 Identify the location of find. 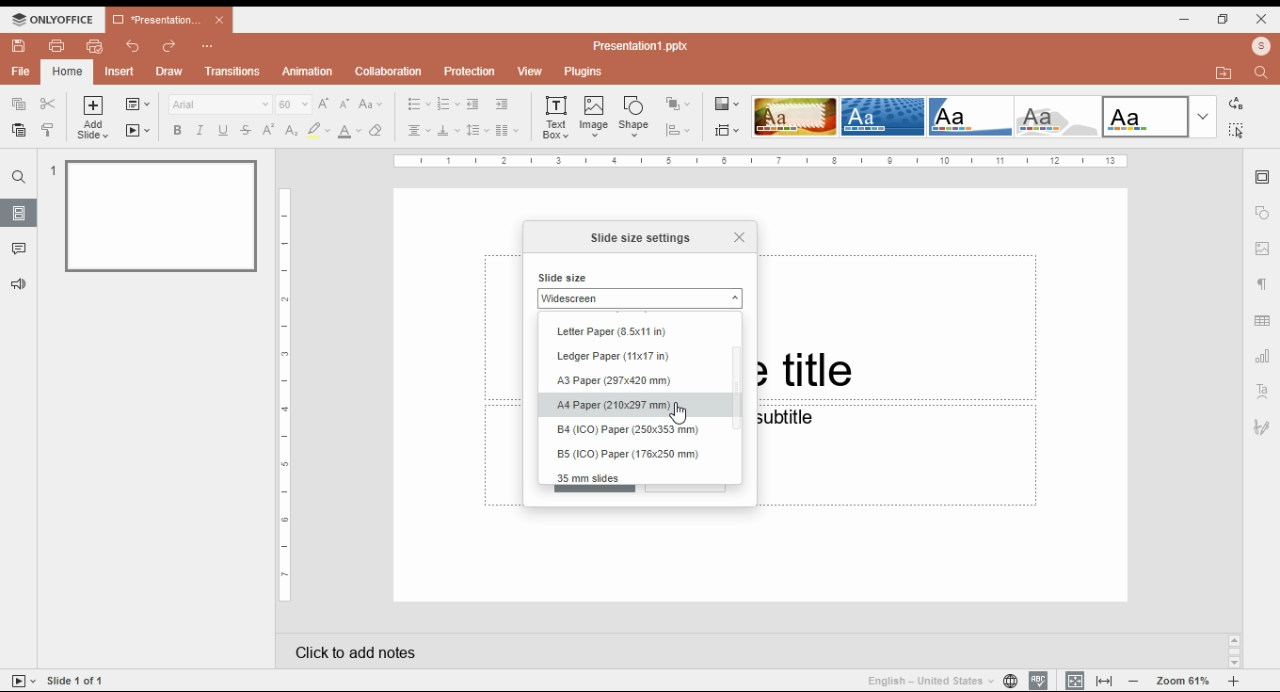
(1264, 71).